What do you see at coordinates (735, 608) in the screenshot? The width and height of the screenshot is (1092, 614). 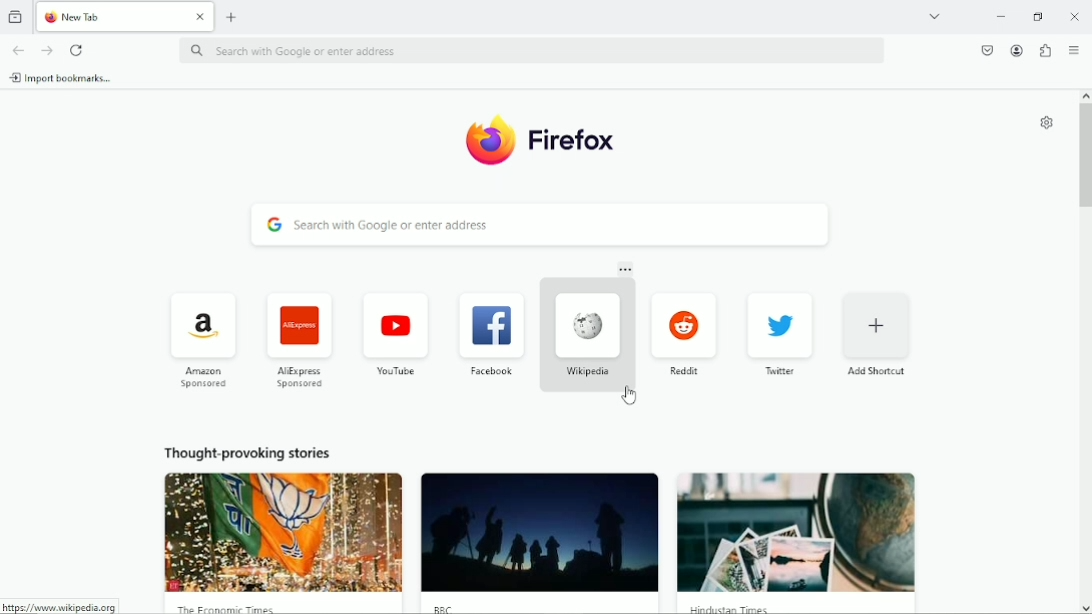 I see `Hindustan Times` at bounding box center [735, 608].